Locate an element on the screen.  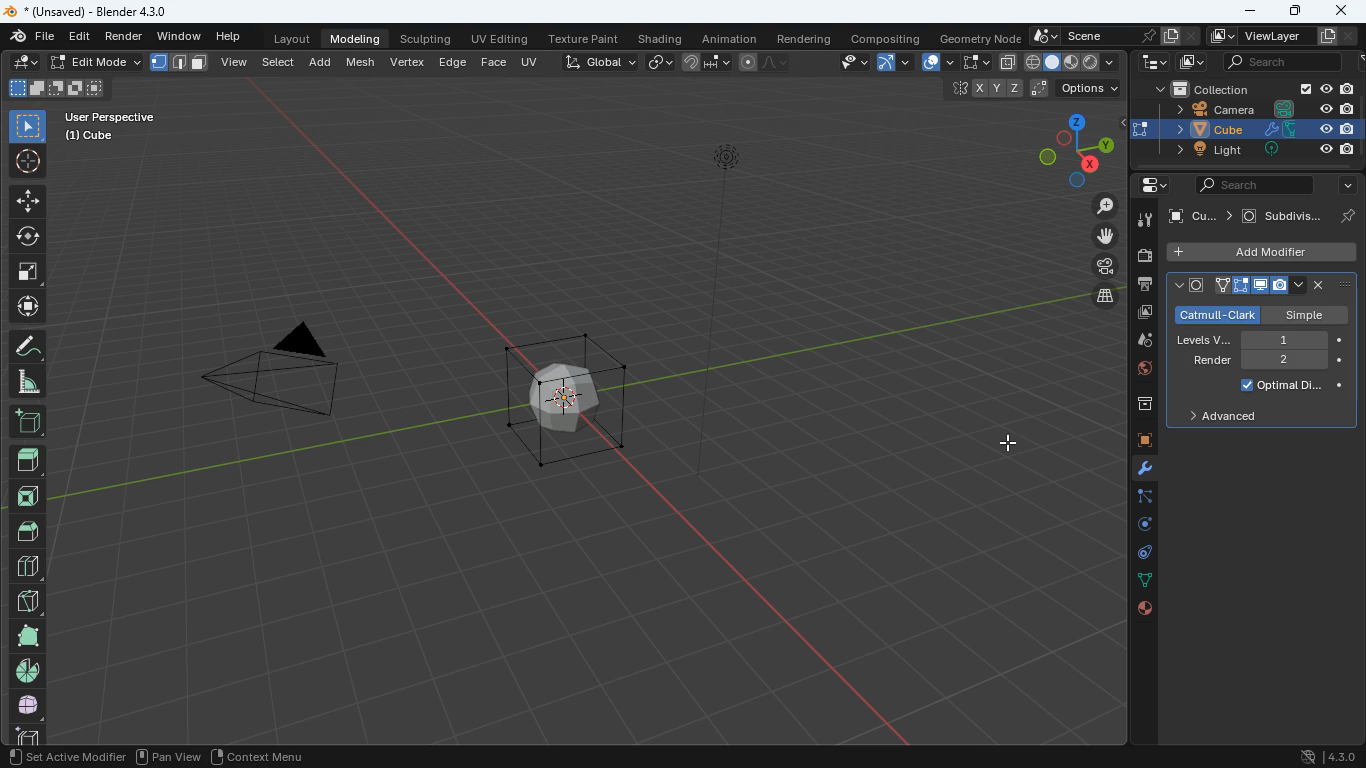
file is located at coordinates (28, 37).